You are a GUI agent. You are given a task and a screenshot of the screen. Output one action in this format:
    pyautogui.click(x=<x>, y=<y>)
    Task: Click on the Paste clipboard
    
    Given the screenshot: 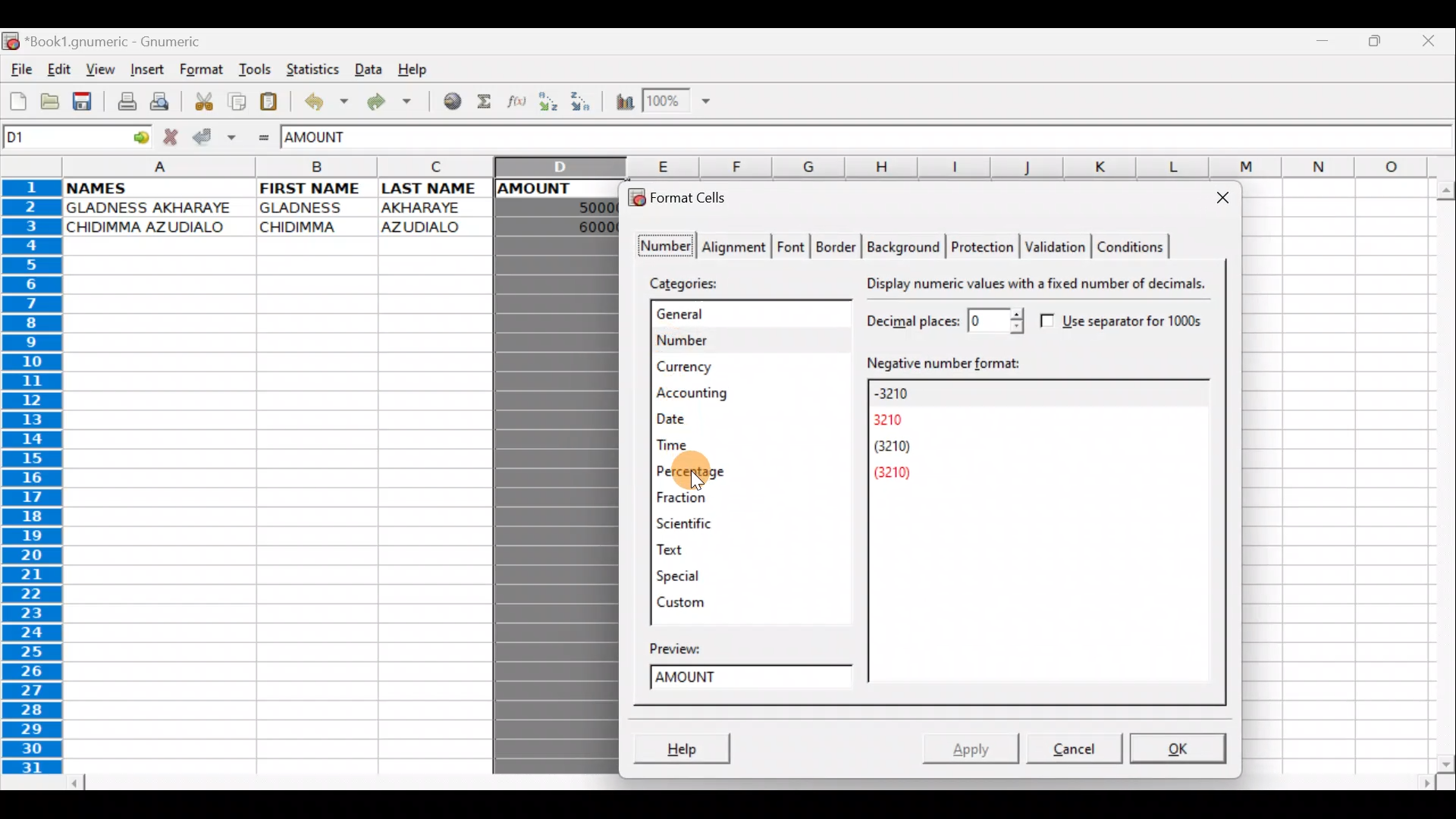 What is the action you would take?
    pyautogui.click(x=271, y=100)
    